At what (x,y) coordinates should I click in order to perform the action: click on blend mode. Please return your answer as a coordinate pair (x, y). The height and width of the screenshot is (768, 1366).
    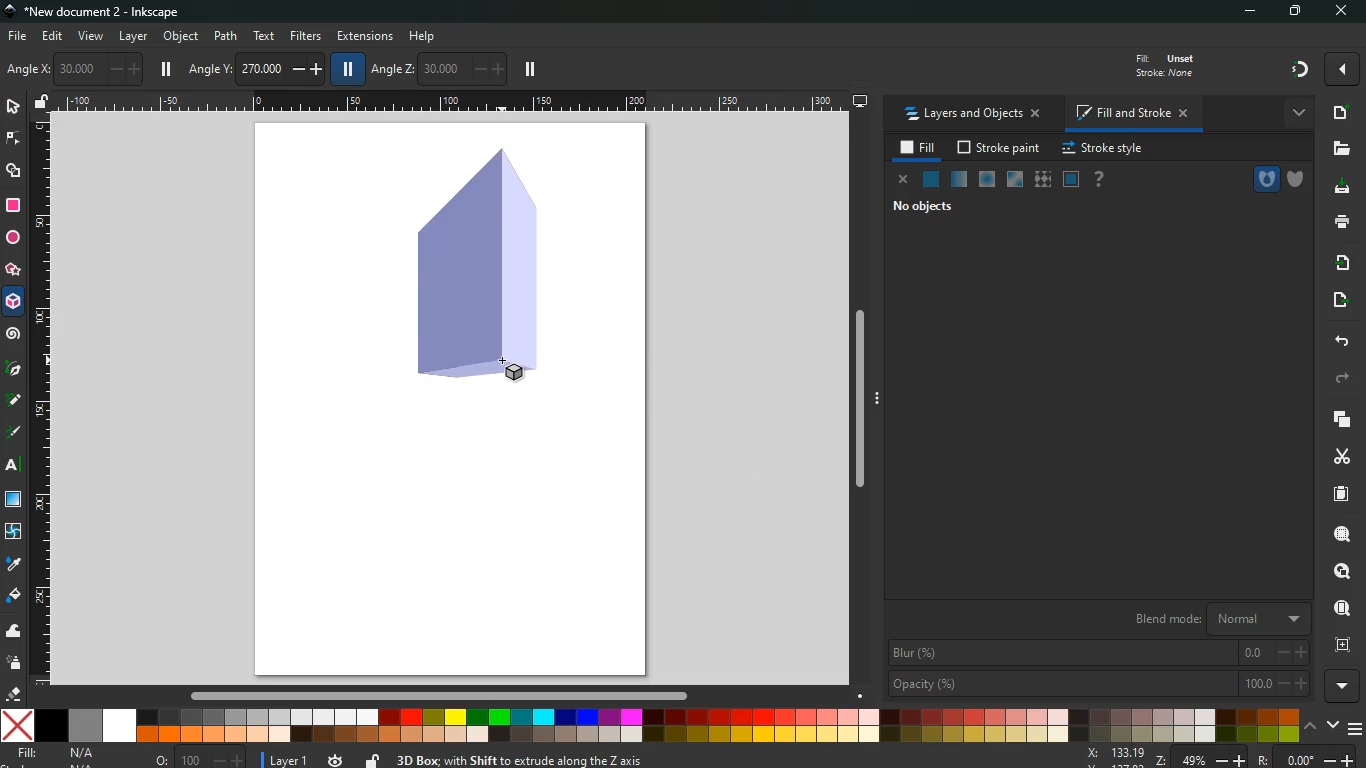
    Looking at the image, I should click on (1211, 619).